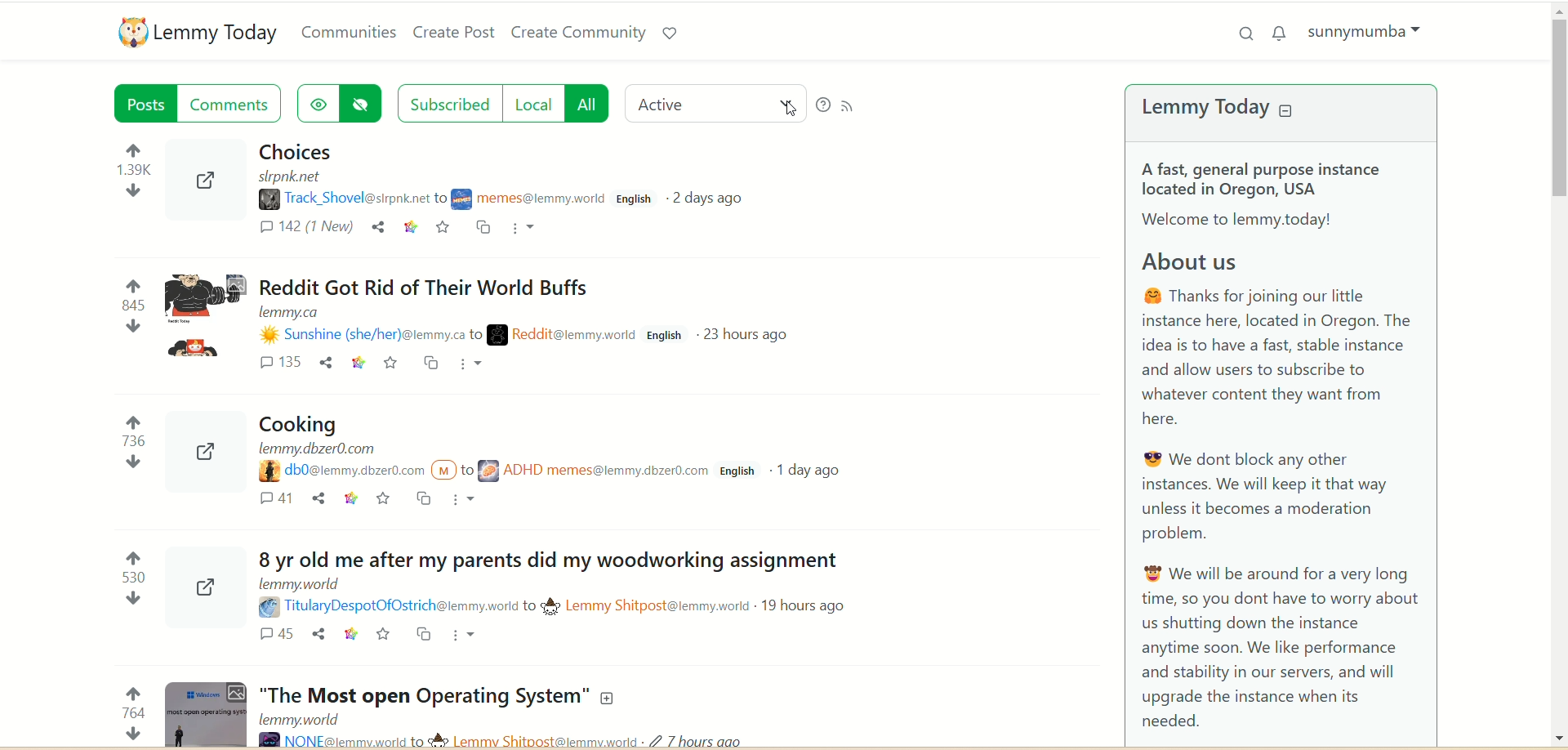  I want to click on English(language), so click(636, 202).